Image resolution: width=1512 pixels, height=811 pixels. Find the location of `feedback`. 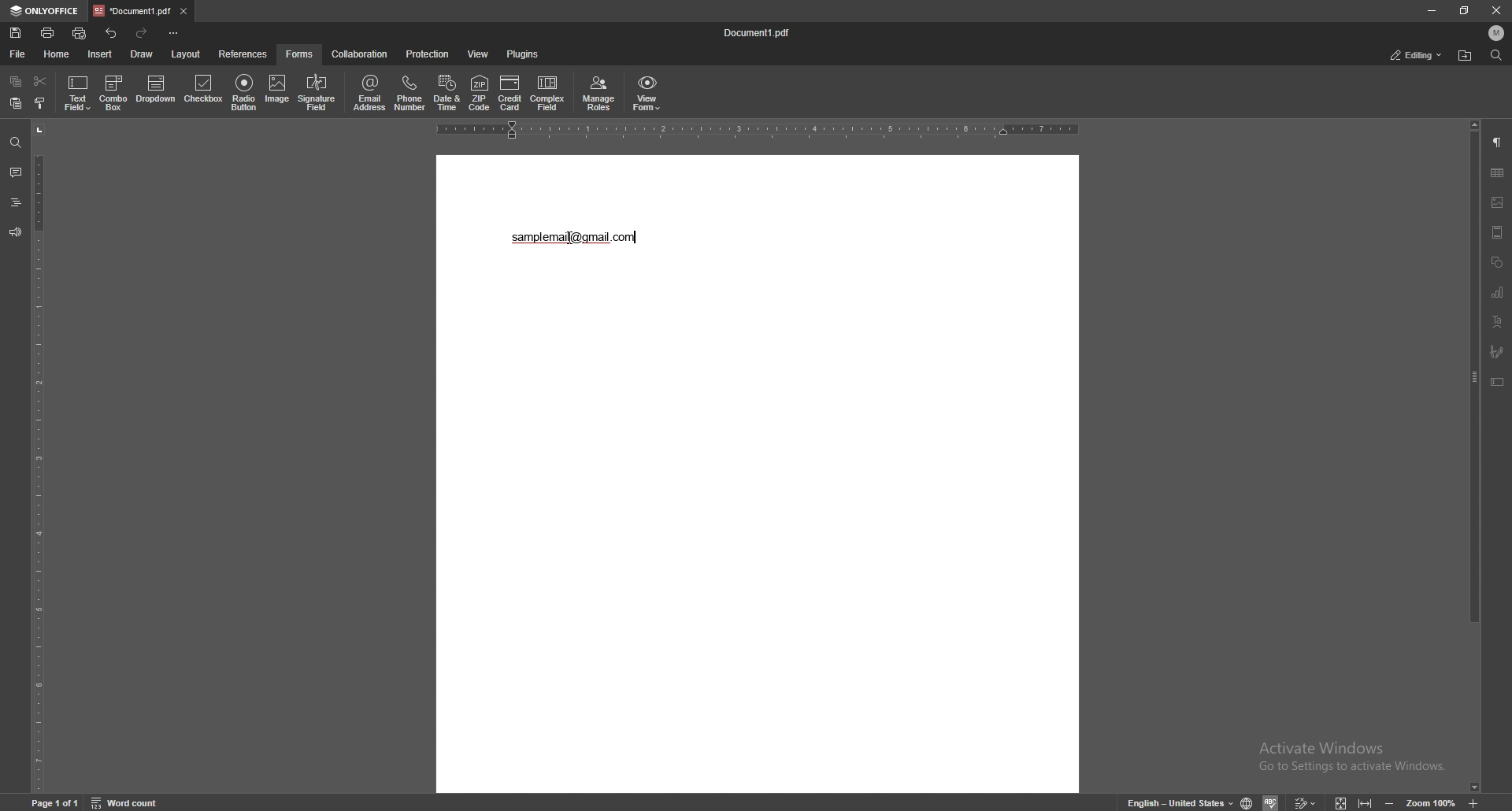

feedback is located at coordinates (16, 232).